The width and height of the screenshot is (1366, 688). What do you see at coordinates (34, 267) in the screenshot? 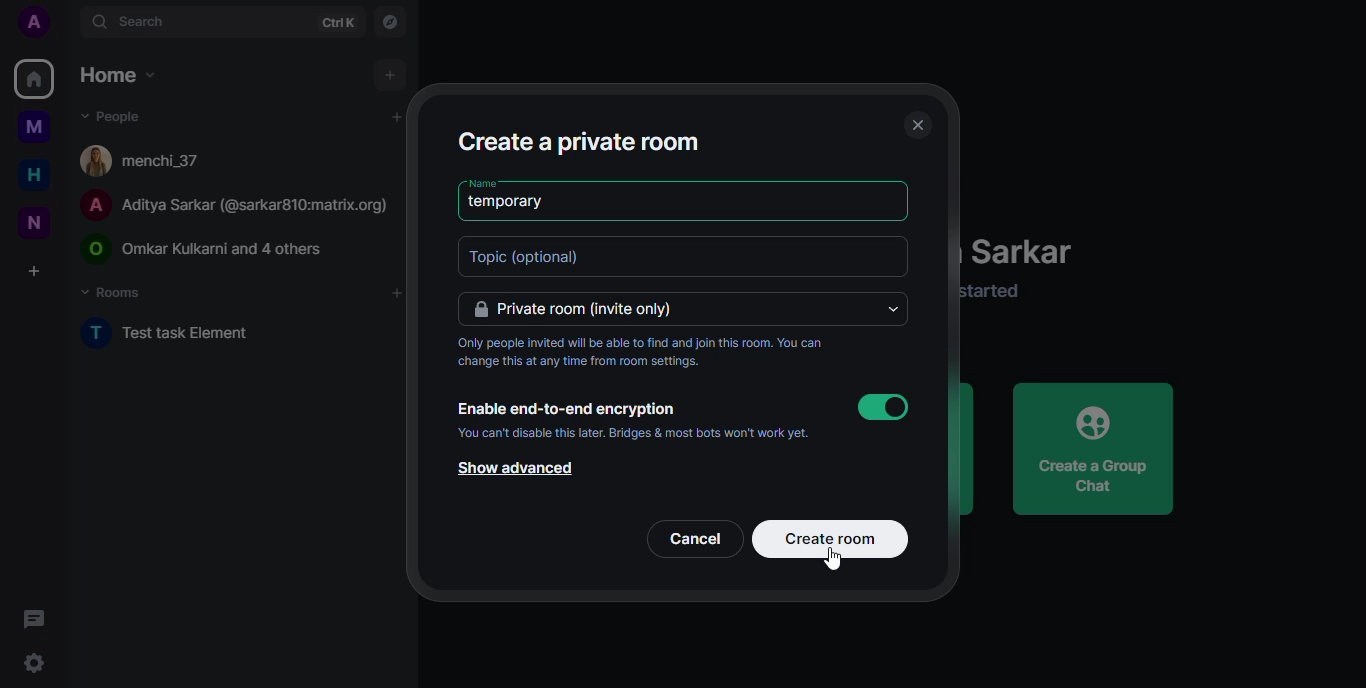
I see `create a space` at bounding box center [34, 267].